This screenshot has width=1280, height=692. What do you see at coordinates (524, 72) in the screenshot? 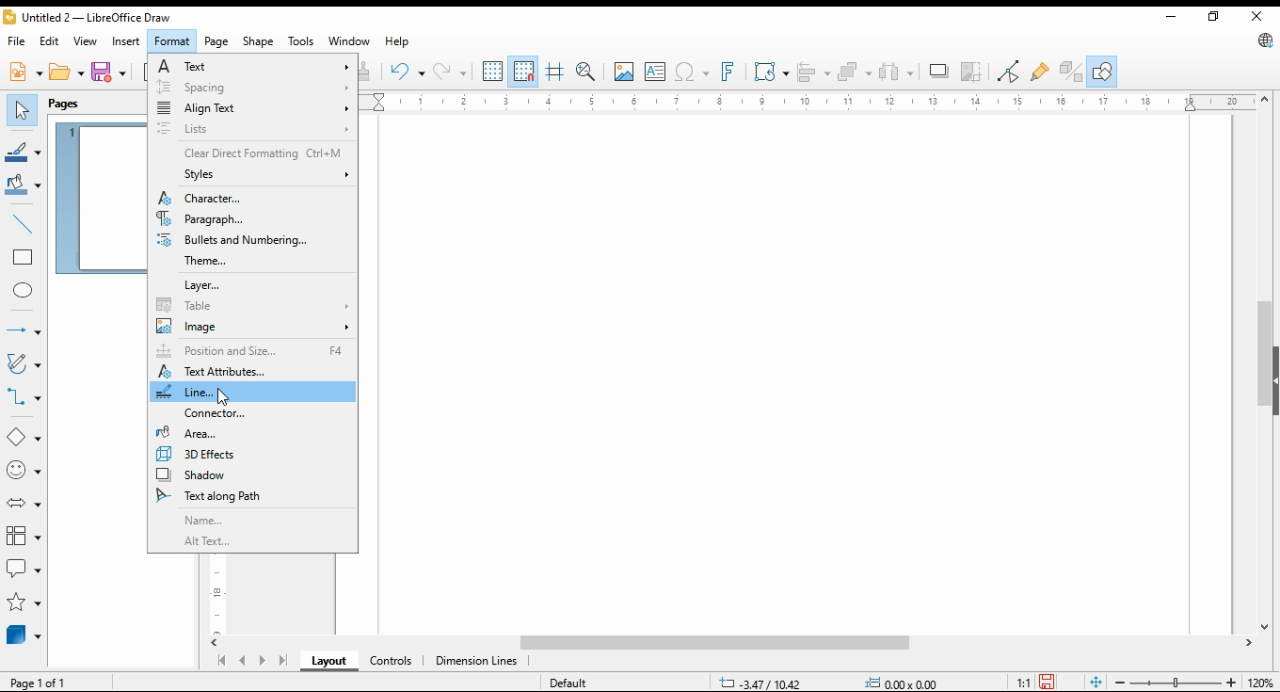
I see `snap to grids` at bounding box center [524, 72].